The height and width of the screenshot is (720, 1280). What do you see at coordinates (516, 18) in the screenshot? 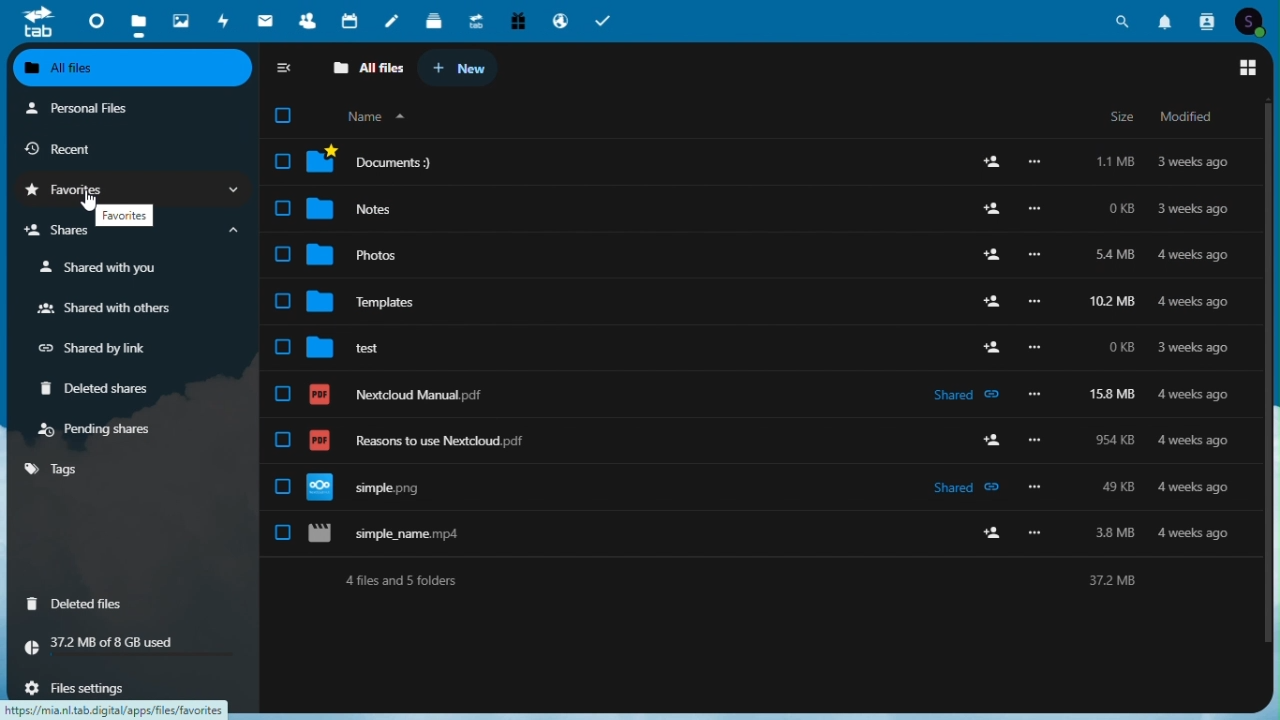
I see `Free trial` at bounding box center [516, 18].